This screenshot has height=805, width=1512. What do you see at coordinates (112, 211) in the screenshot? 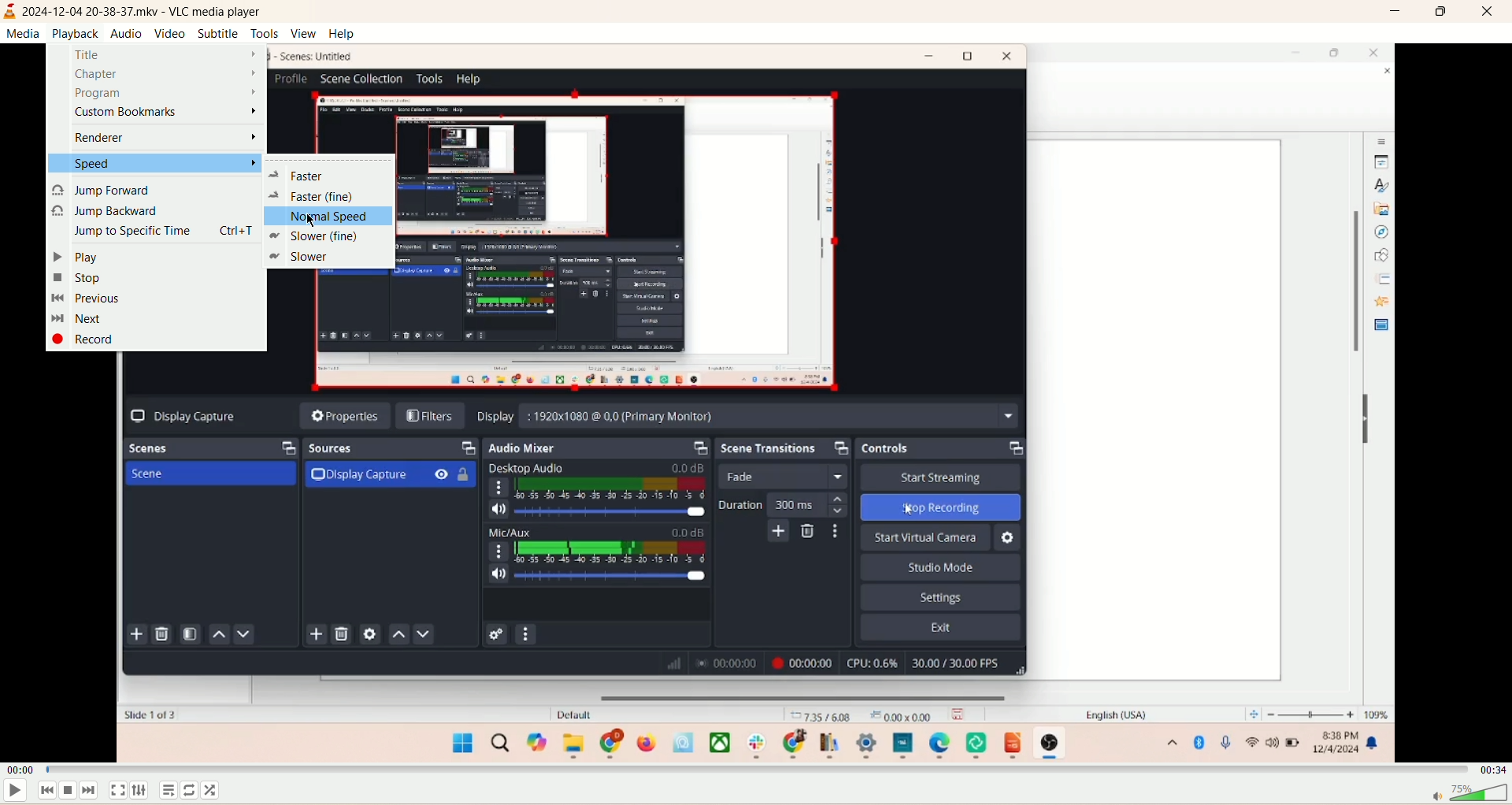
I see `jump backward` at bounding box center [112, 211].